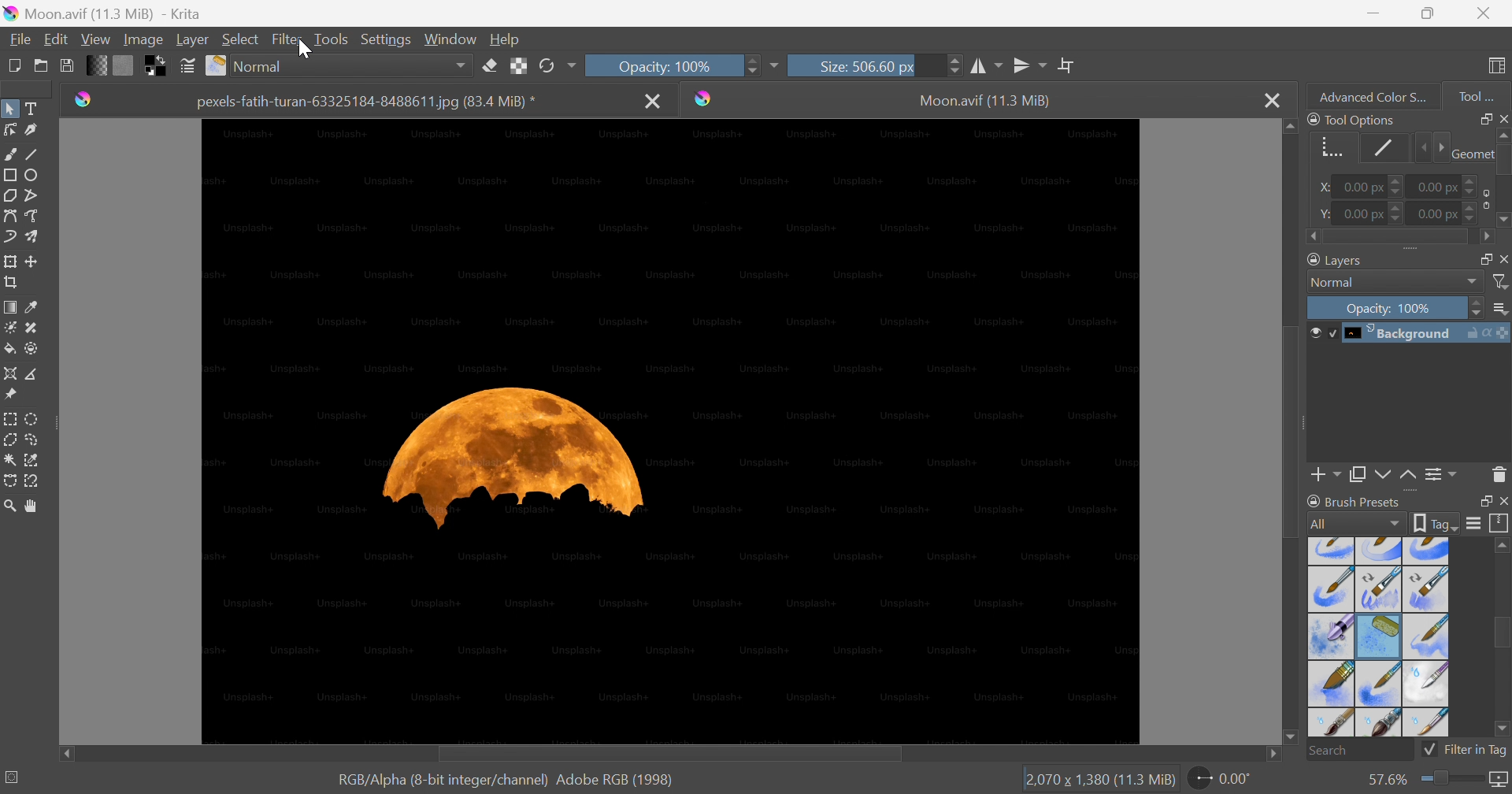 This screenshot has width=1512, height=794. Describe the element at coordinates (13, 777) in the screenshot. I see `No selection` at that location.